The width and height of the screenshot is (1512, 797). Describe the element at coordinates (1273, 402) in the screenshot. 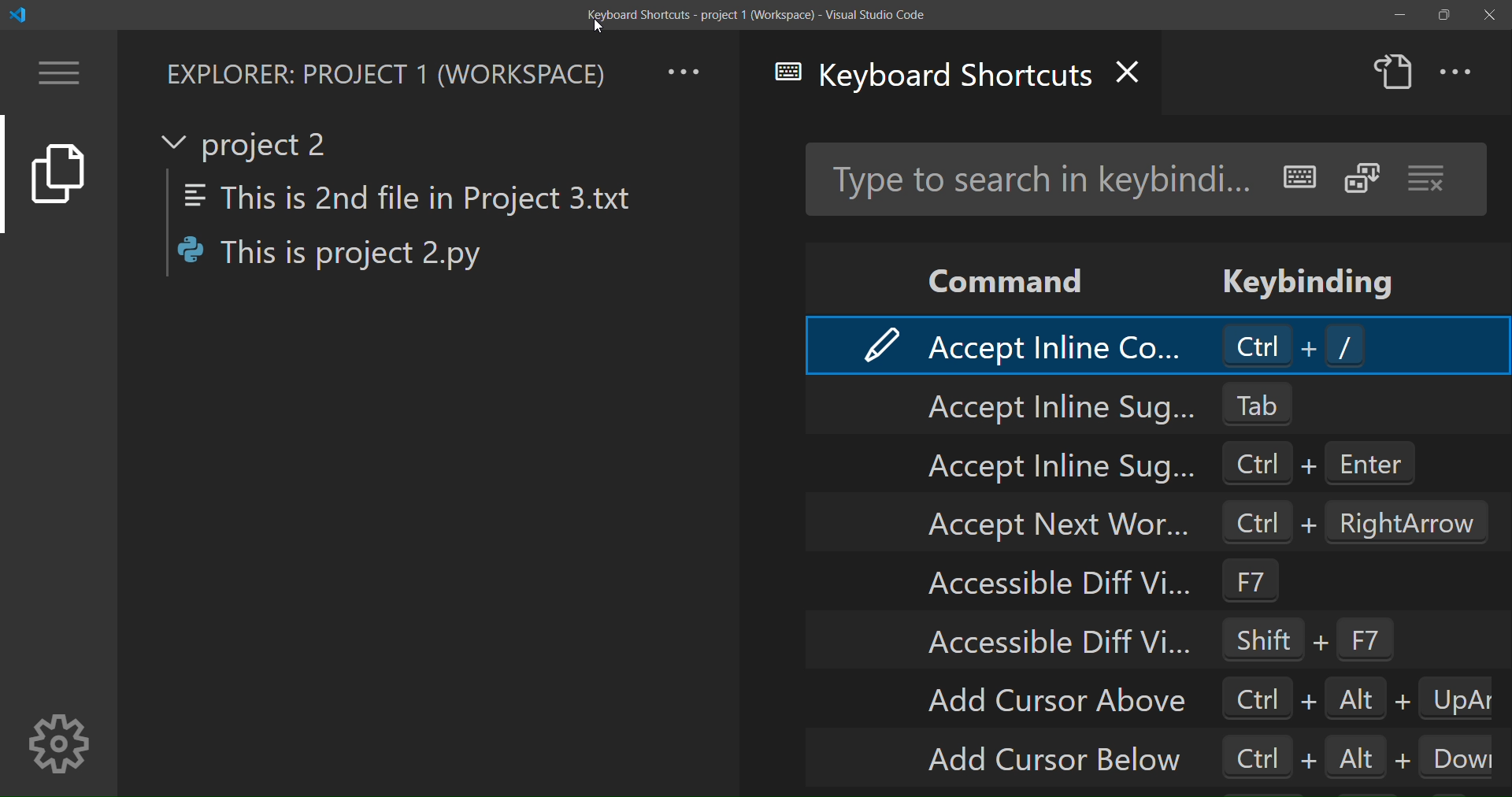

I see `tab` at that location.